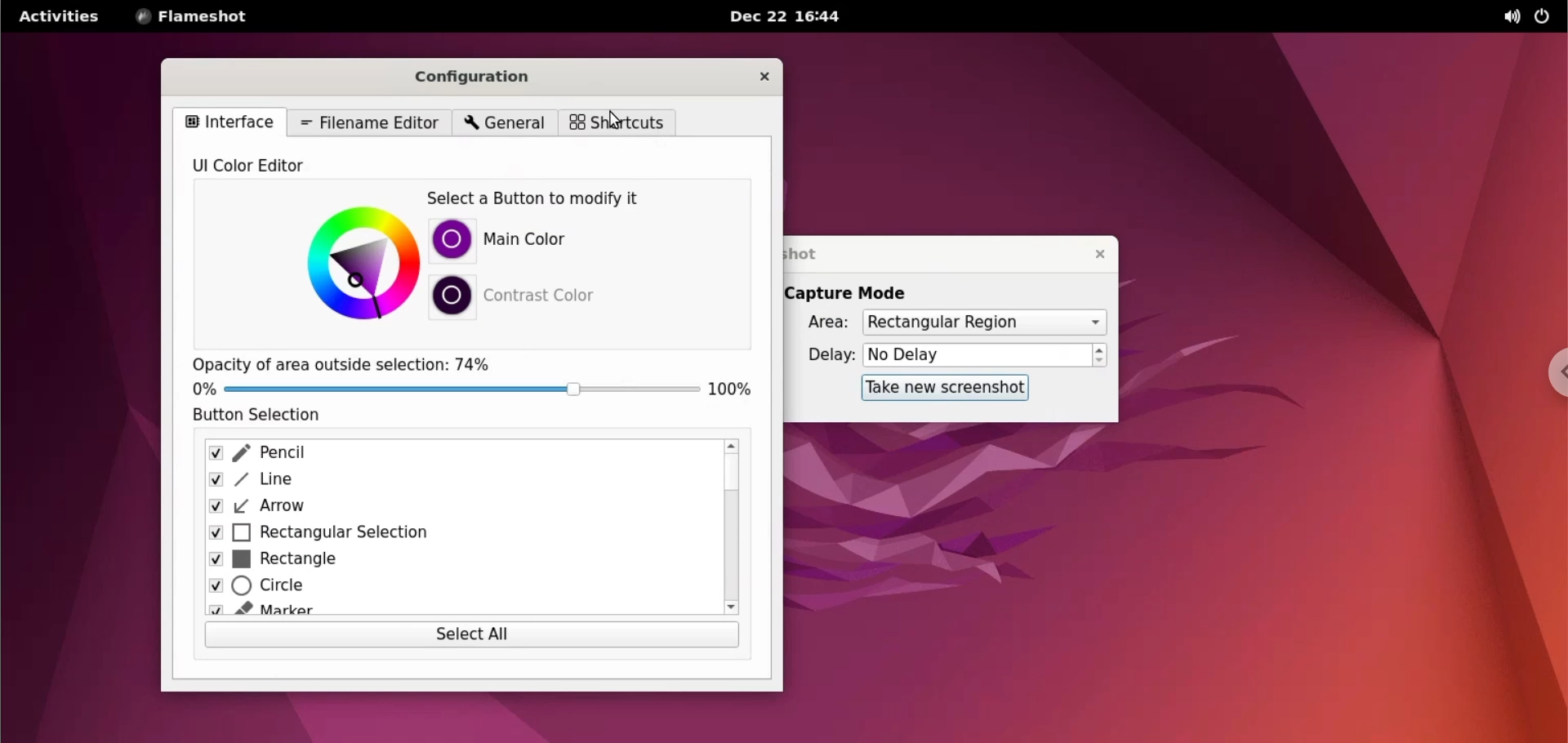 This screenshot has width=1568, height=743. I want to click on 100% , so click(732, 388).